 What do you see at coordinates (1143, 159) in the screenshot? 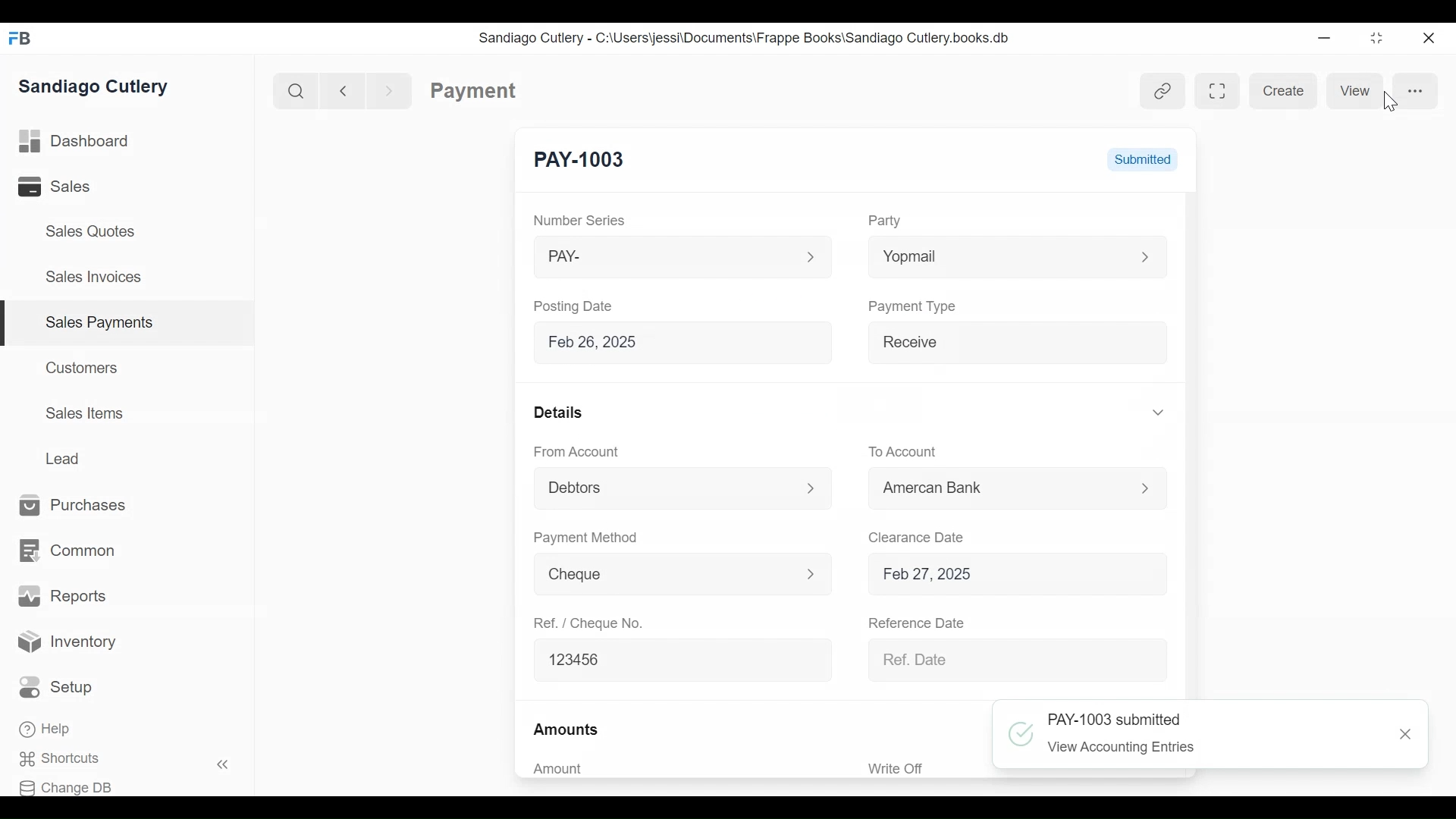
I see `Submitted` at bounding box center [1143, 159].